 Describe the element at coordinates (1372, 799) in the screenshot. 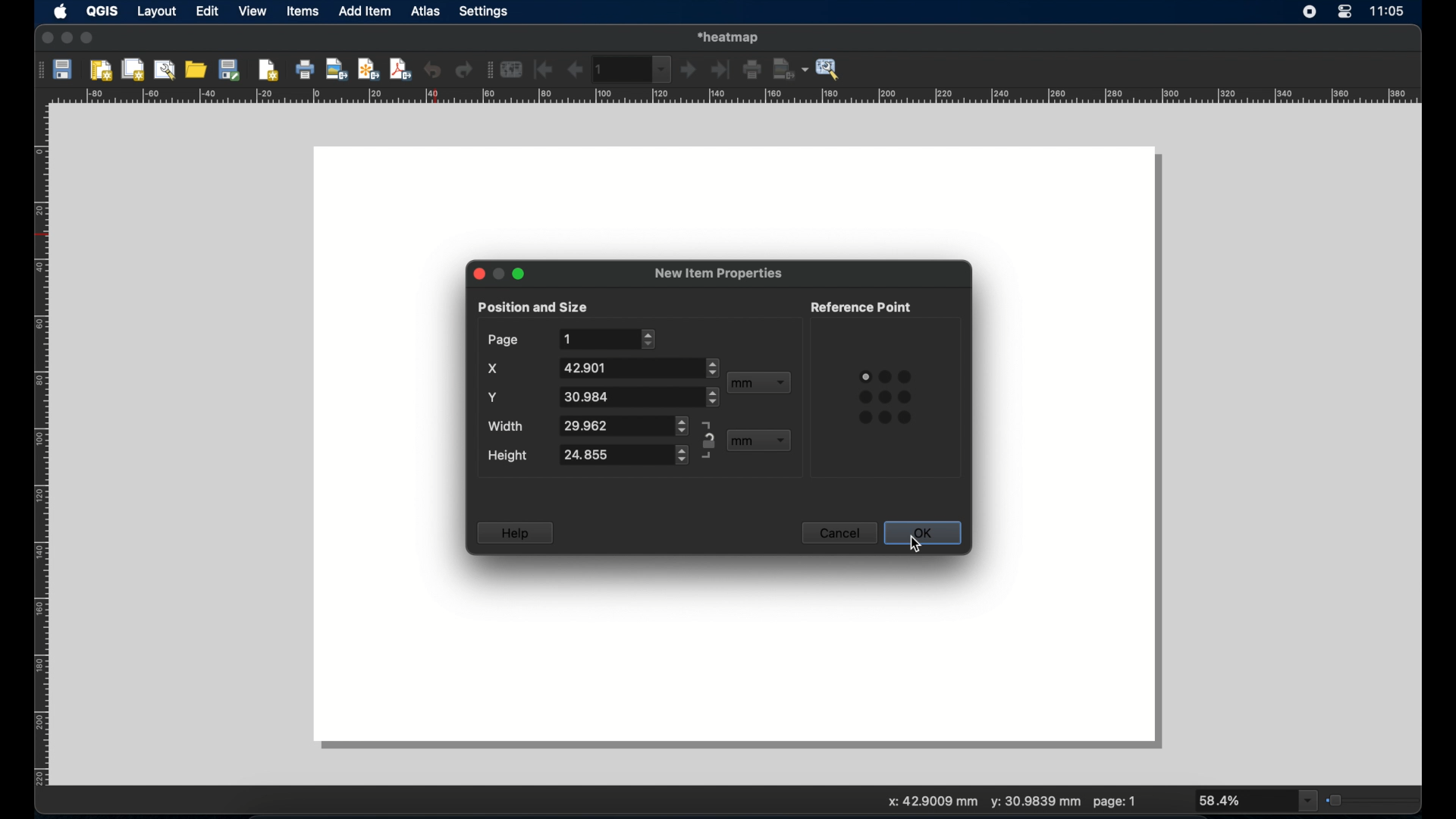

I see `zoom slider` at that location.